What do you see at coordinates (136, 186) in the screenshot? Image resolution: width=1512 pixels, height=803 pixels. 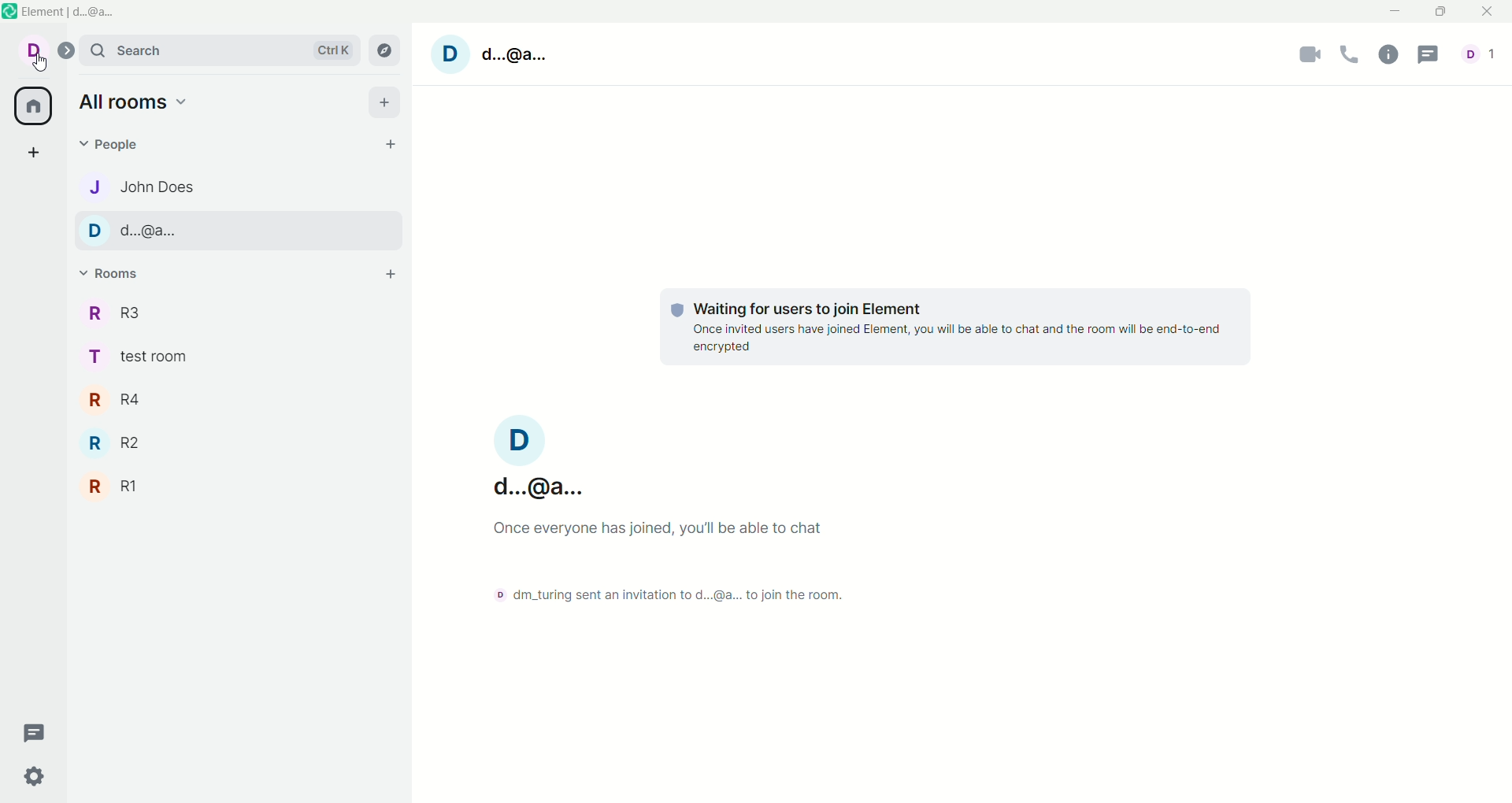 I see `John DOES` at bounding box center [136, 186].